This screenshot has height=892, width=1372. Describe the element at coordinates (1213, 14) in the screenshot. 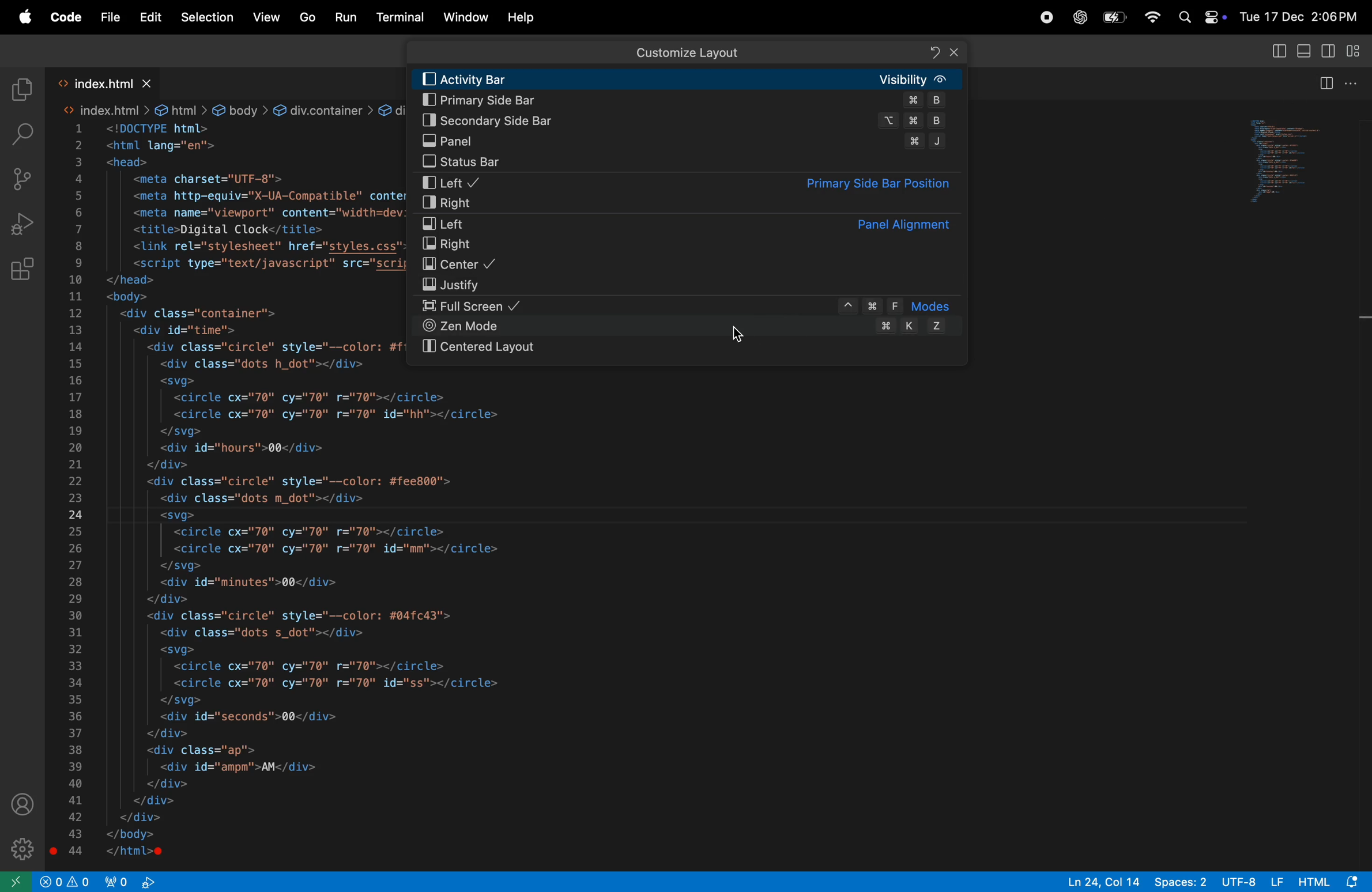

I see `apple widgets` at that location.